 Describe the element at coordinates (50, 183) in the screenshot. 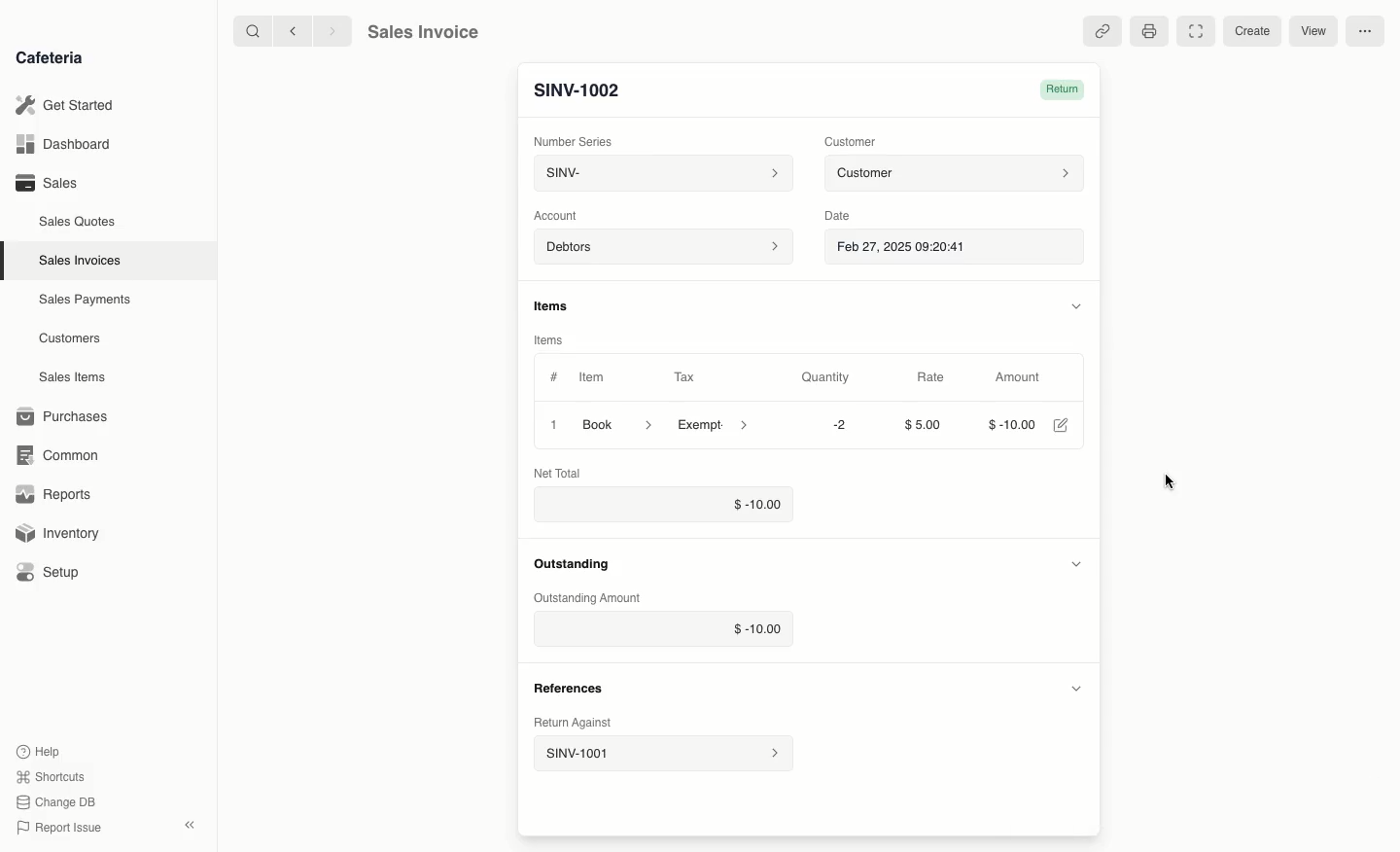

I see `Sales` at that location.